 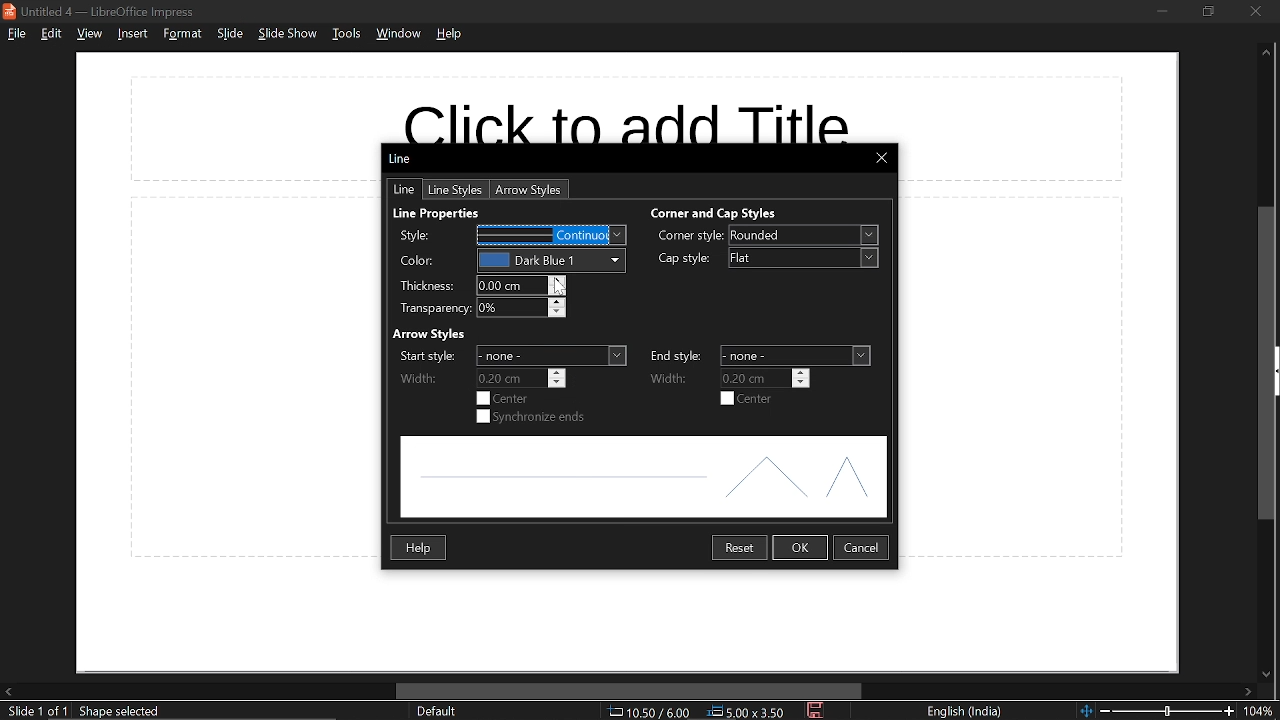 What do you see at coordinates (457, 190) in the screenshot?
I see `line styles` at bounding box center [457, 190].